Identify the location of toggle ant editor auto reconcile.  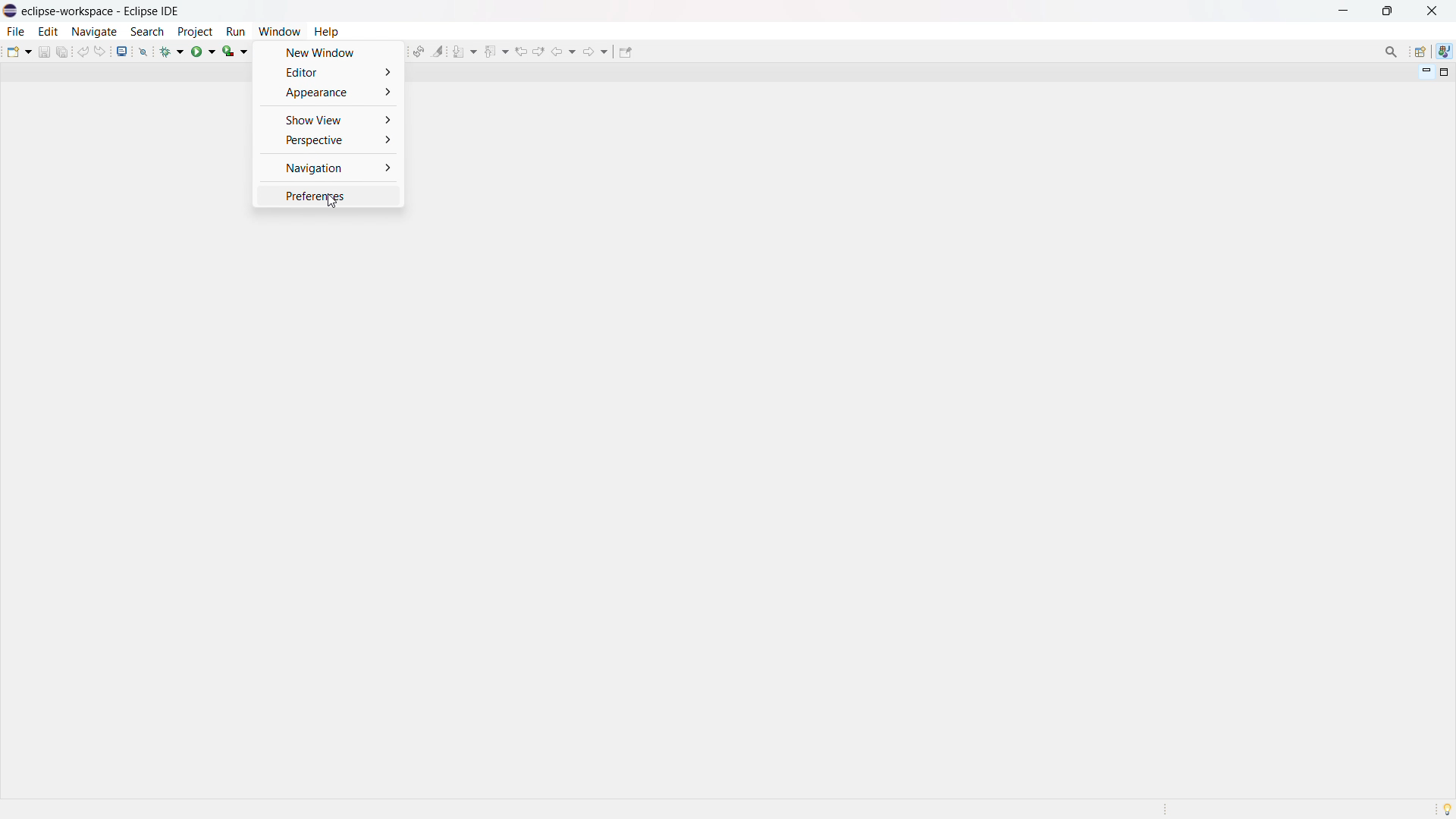
(418, 51).